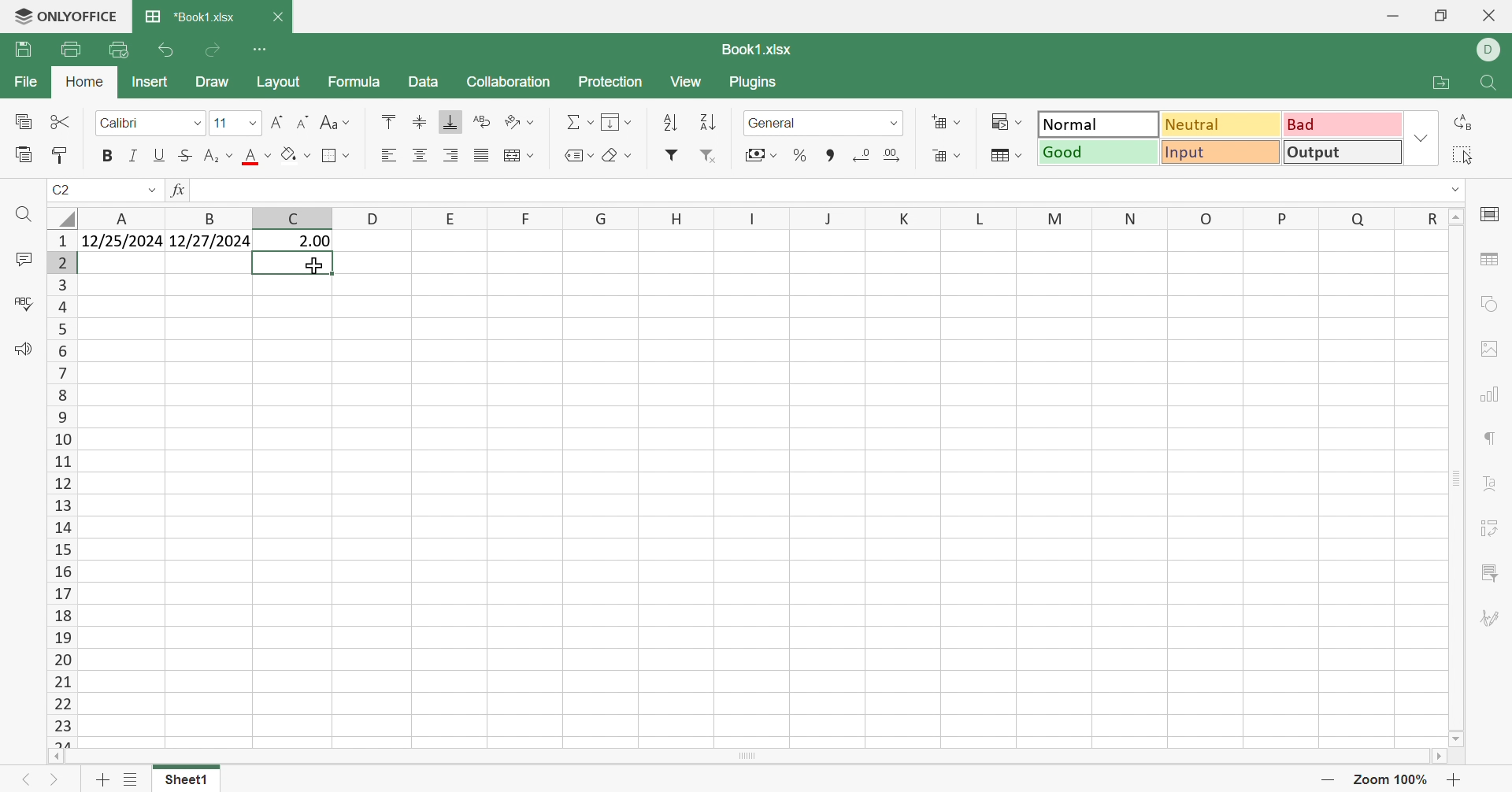 This screenshot has height=792, width=1512. I want to click on Remove filter, so click(710, 156).